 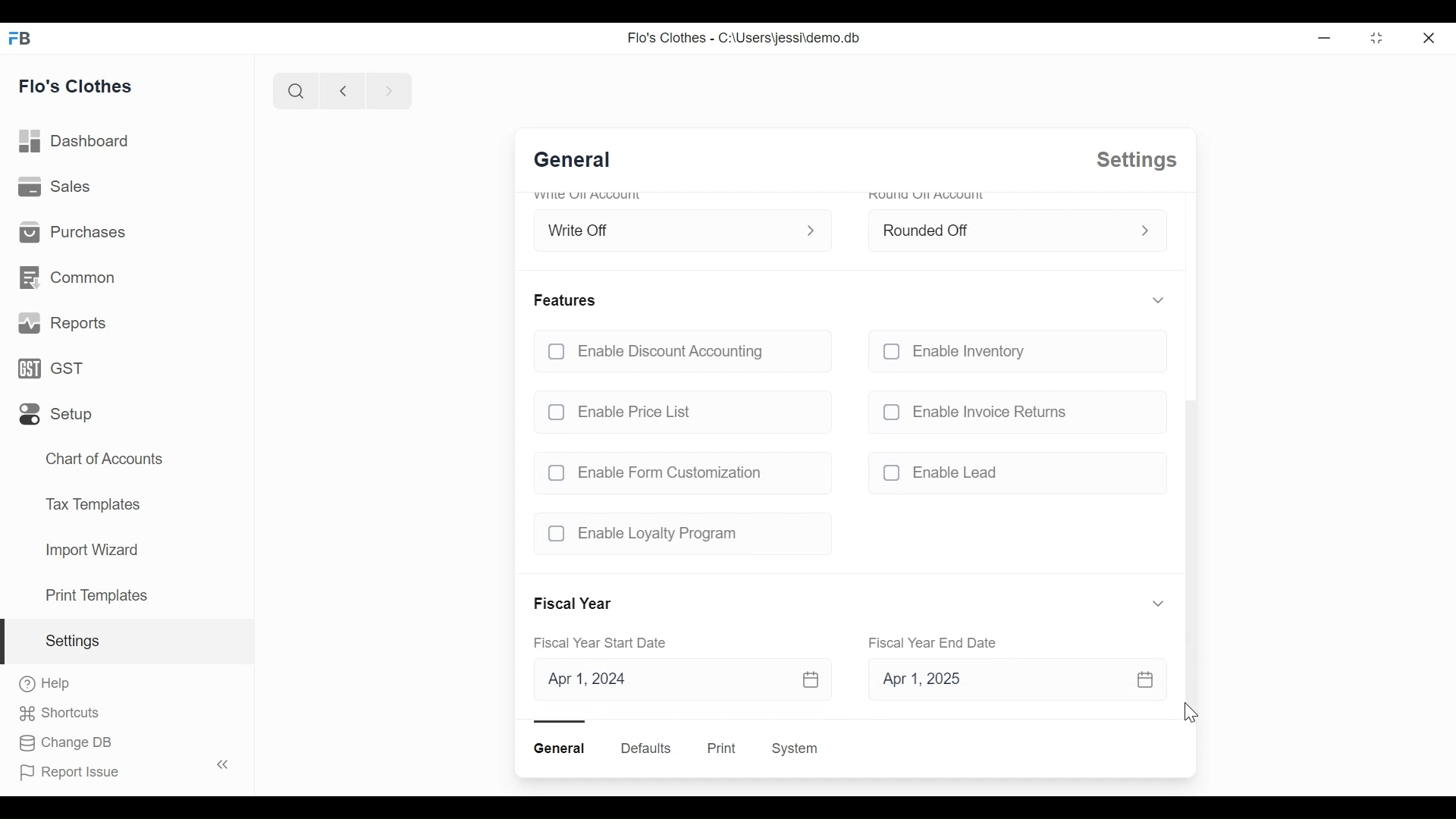 I want to click on Navigate back, so click(x=340, y=90).